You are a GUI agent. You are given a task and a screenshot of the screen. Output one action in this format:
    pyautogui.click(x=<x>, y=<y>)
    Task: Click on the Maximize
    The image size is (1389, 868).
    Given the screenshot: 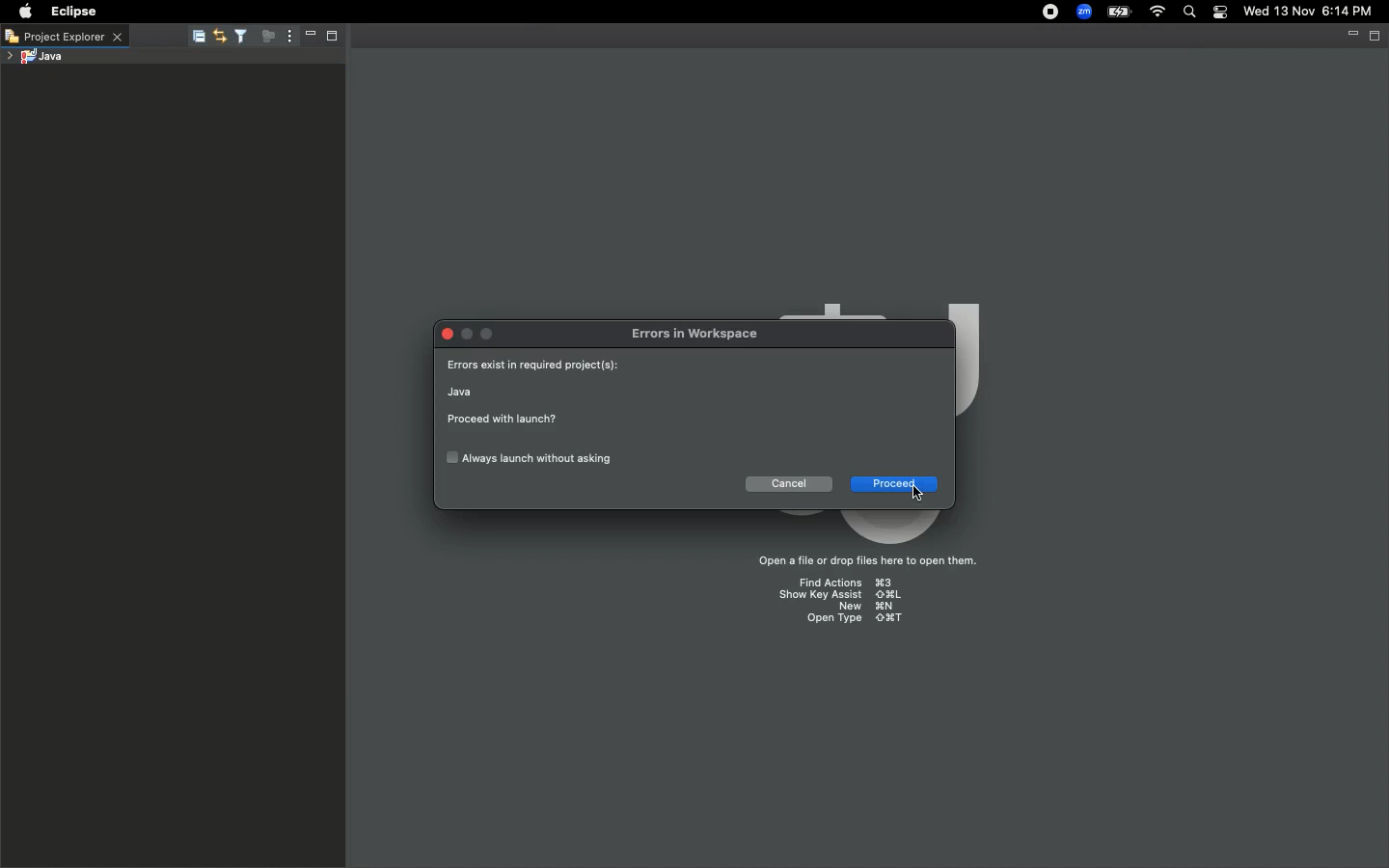 What is the action you would take?
    pyautogui.click(x=333, y=38)
    